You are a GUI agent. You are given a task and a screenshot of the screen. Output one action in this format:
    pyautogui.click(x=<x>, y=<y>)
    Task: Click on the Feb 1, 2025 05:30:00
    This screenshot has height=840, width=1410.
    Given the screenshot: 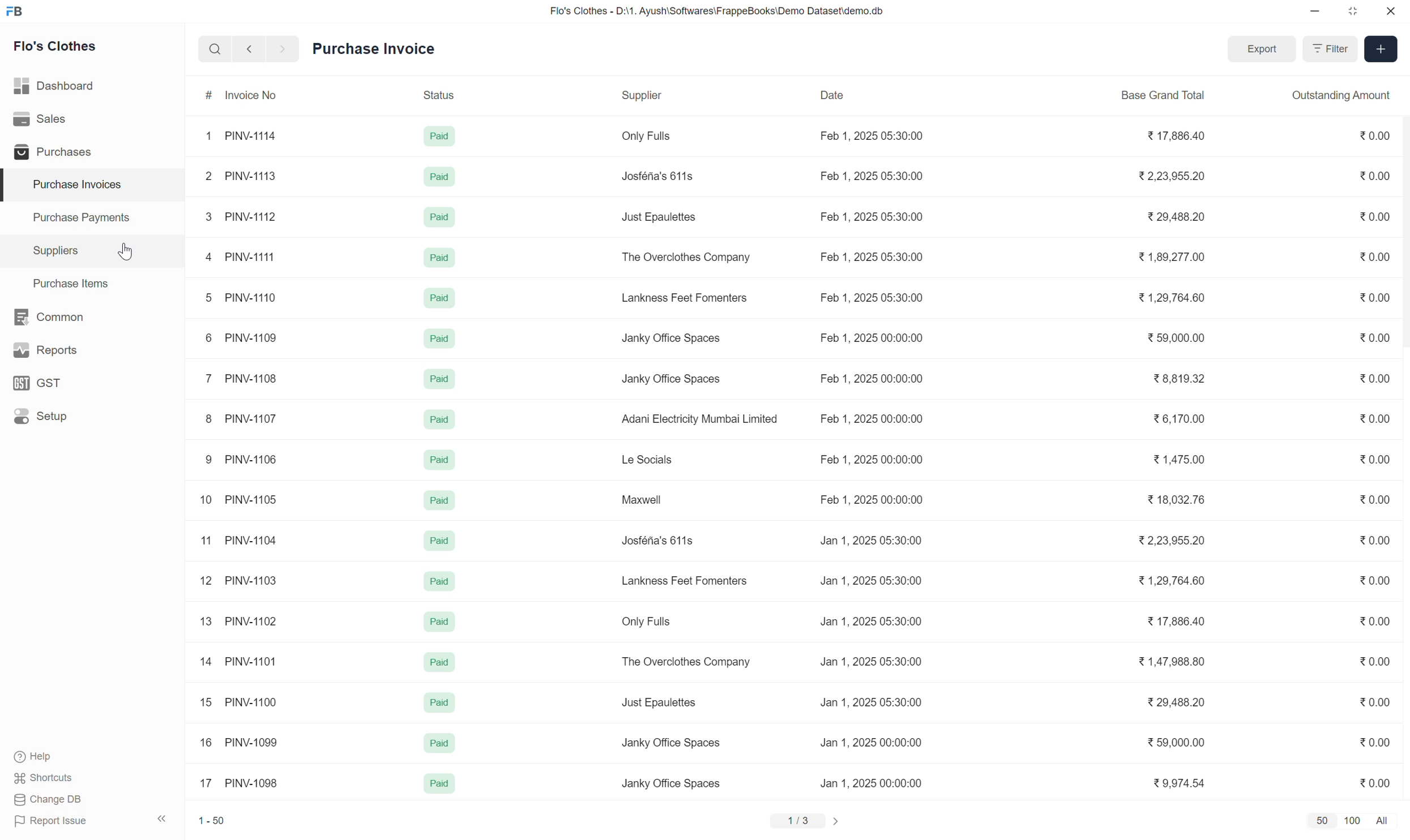 What is the action you would take?
    pyautogui.click(x=871, y=298)
    